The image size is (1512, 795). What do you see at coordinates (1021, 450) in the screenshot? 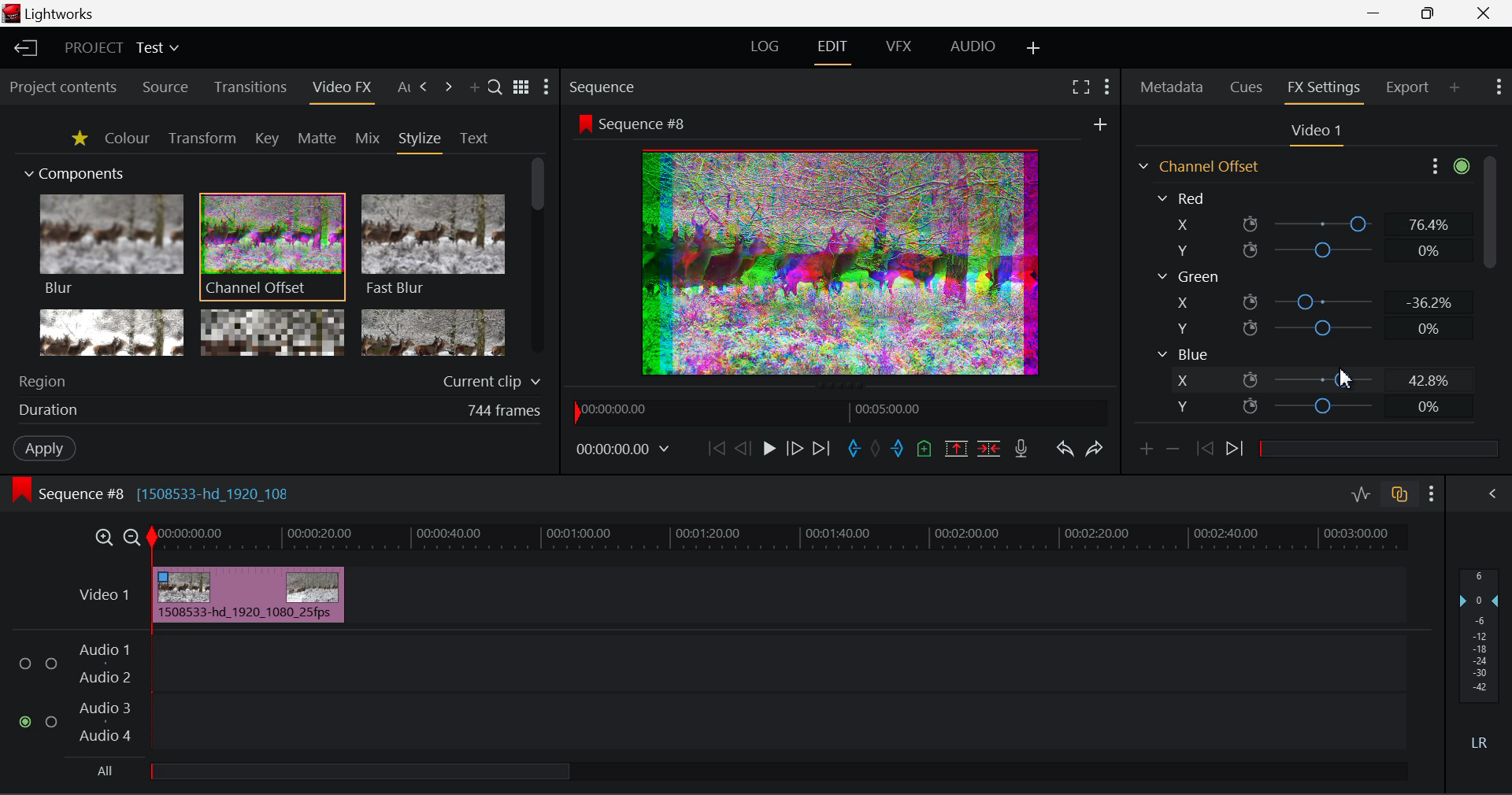
I see `Record Voiceover` at bounding box center [1021, 450].